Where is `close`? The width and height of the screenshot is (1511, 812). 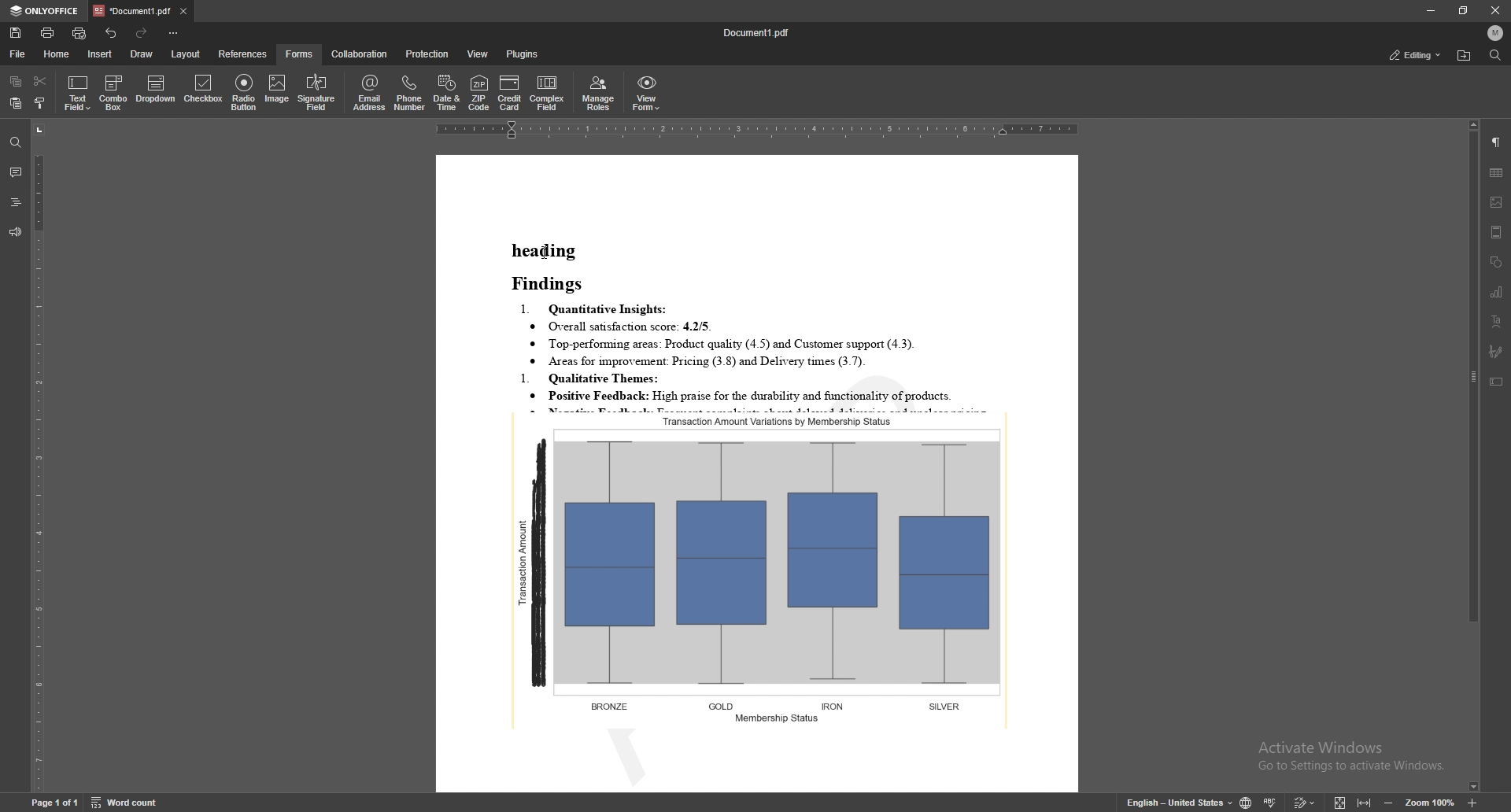
close is located at coordinates (1497, 11).